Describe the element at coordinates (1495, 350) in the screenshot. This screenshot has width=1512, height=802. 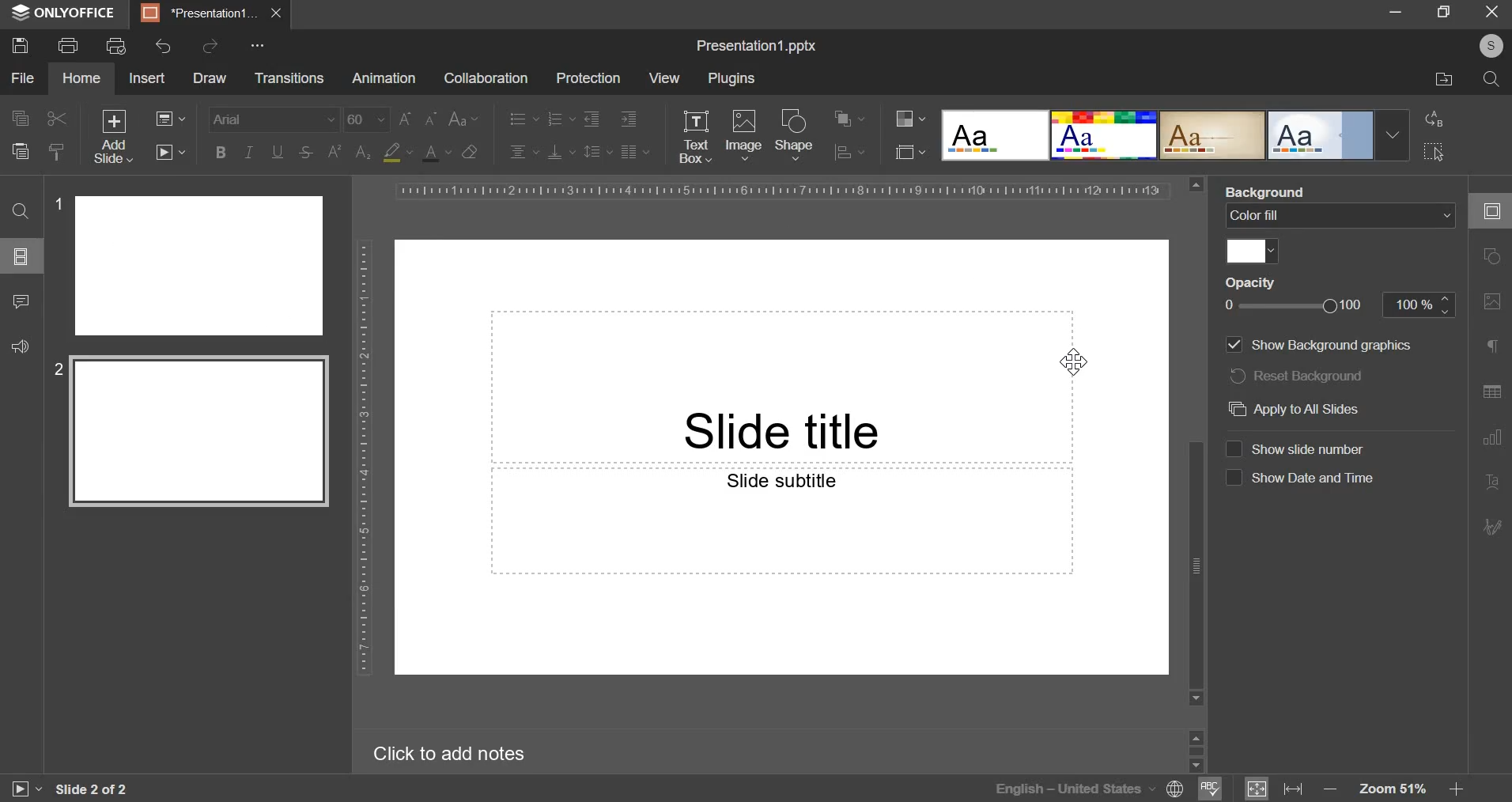
I see `character settings` at that location.